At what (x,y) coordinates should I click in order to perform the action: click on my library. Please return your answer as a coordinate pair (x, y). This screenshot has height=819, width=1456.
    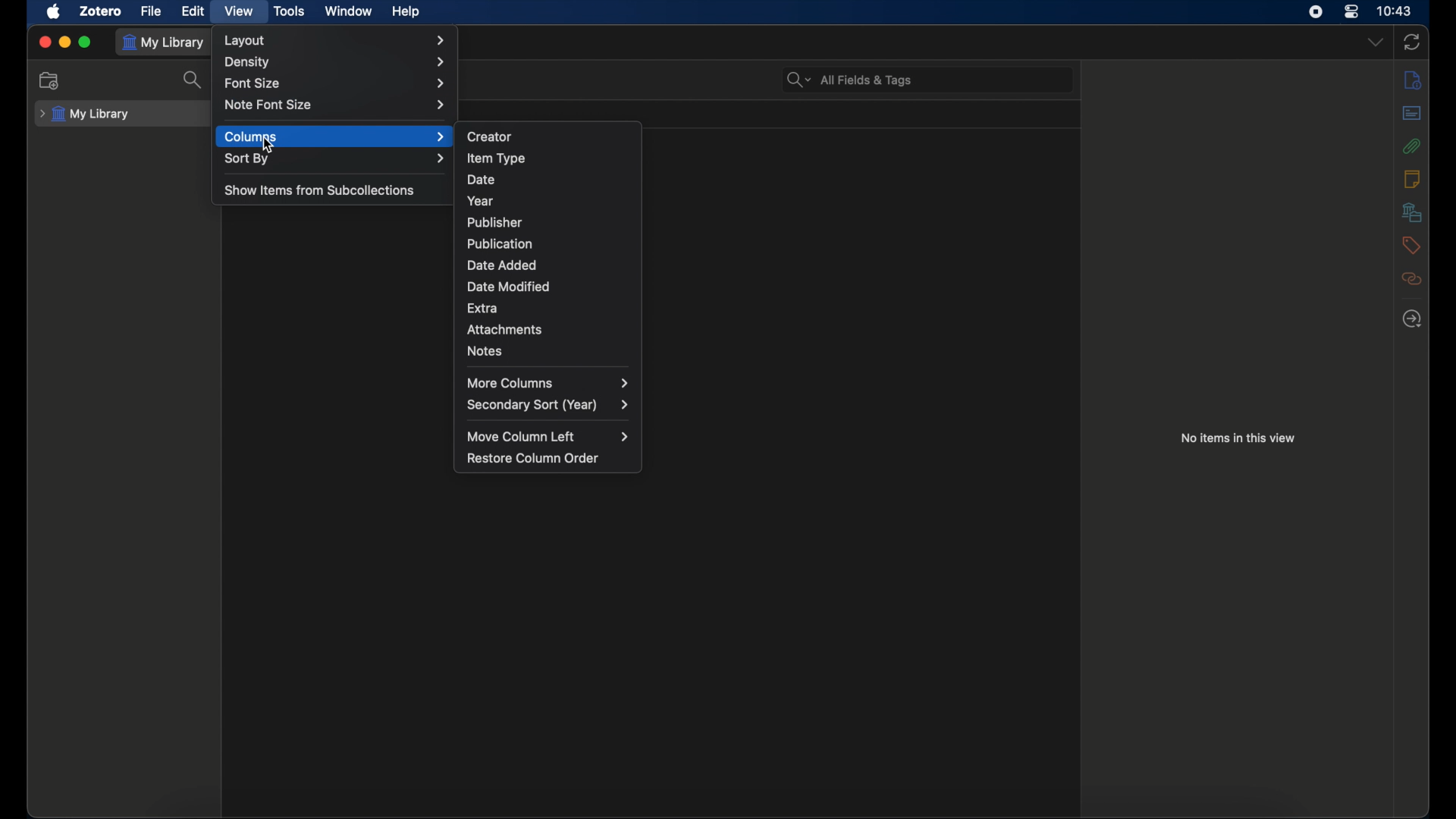
    Looking at the image, I should click on (85, 115).